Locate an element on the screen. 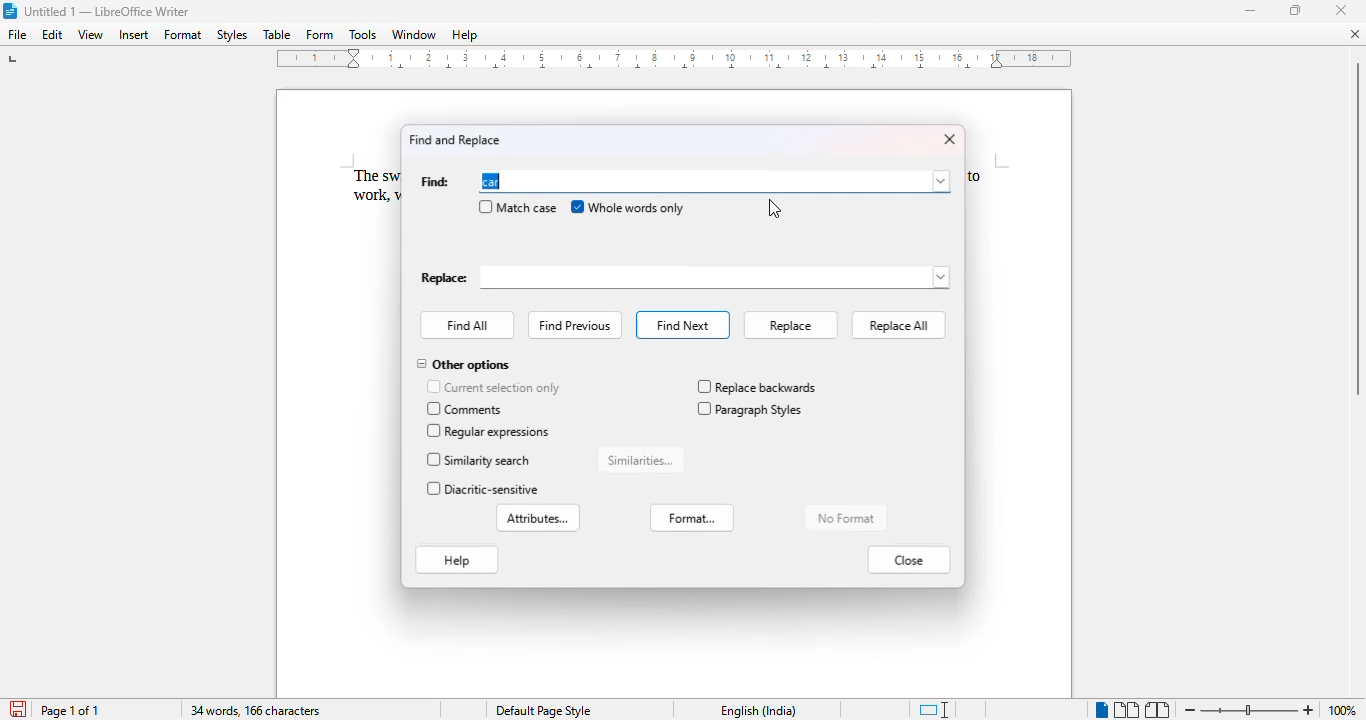 Image resolution: width=1366 pixels, height=720 pixels. similarity search is located at coordinates (481, 460).